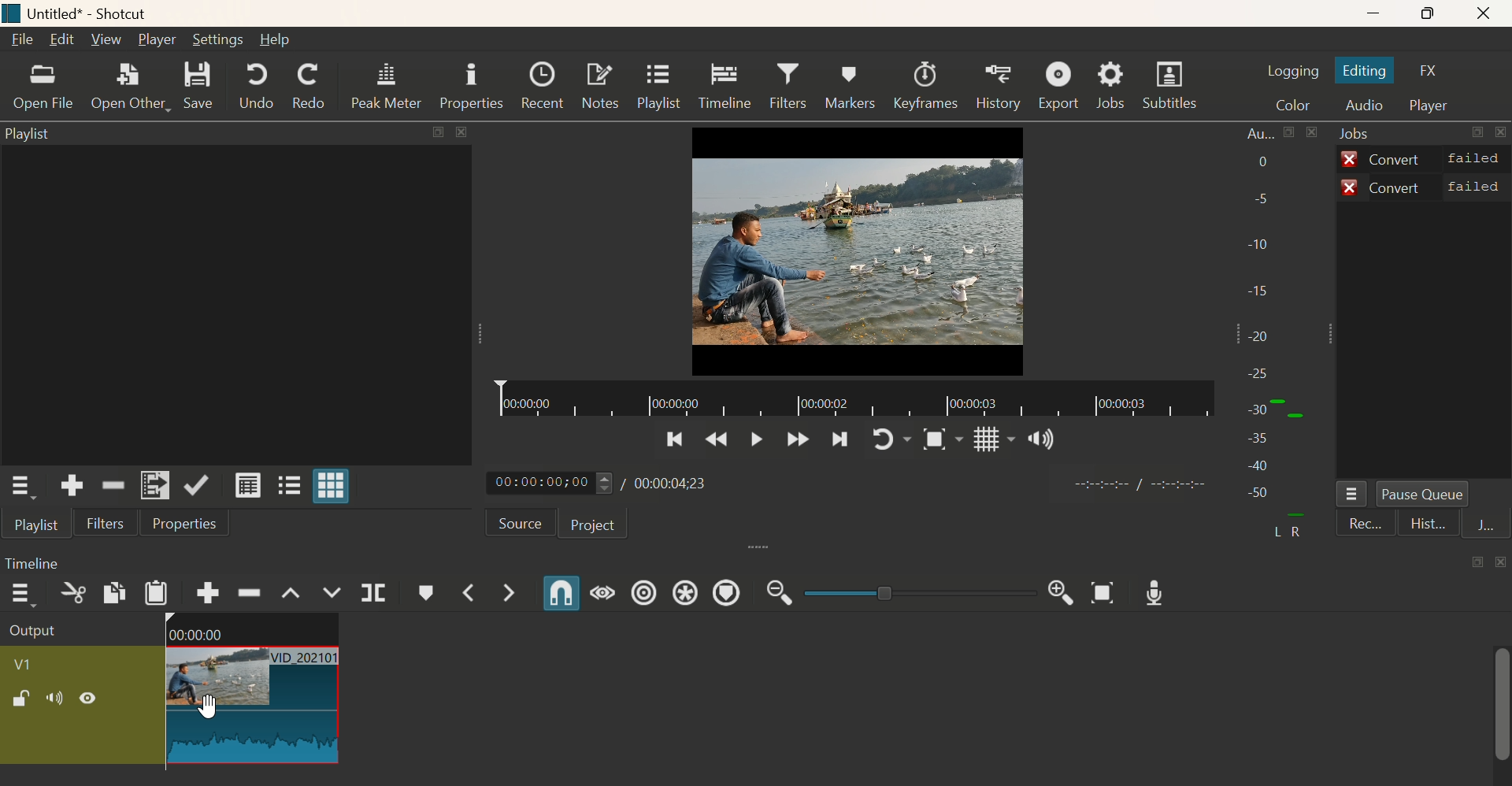  I want to click on Snap, so click(556, 595).